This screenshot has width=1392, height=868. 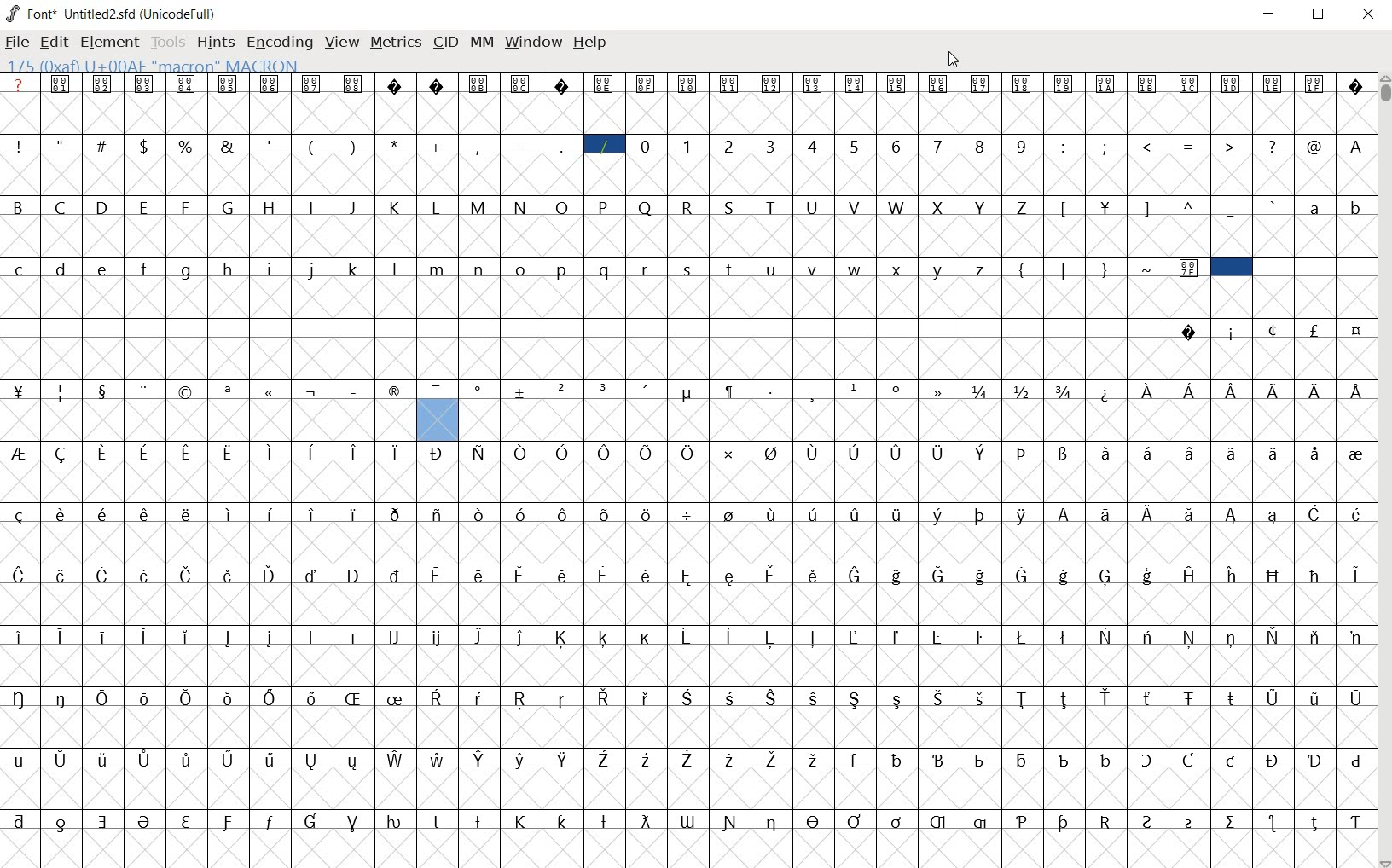 I want to click on Symbol, so click(x=1354, y=391).